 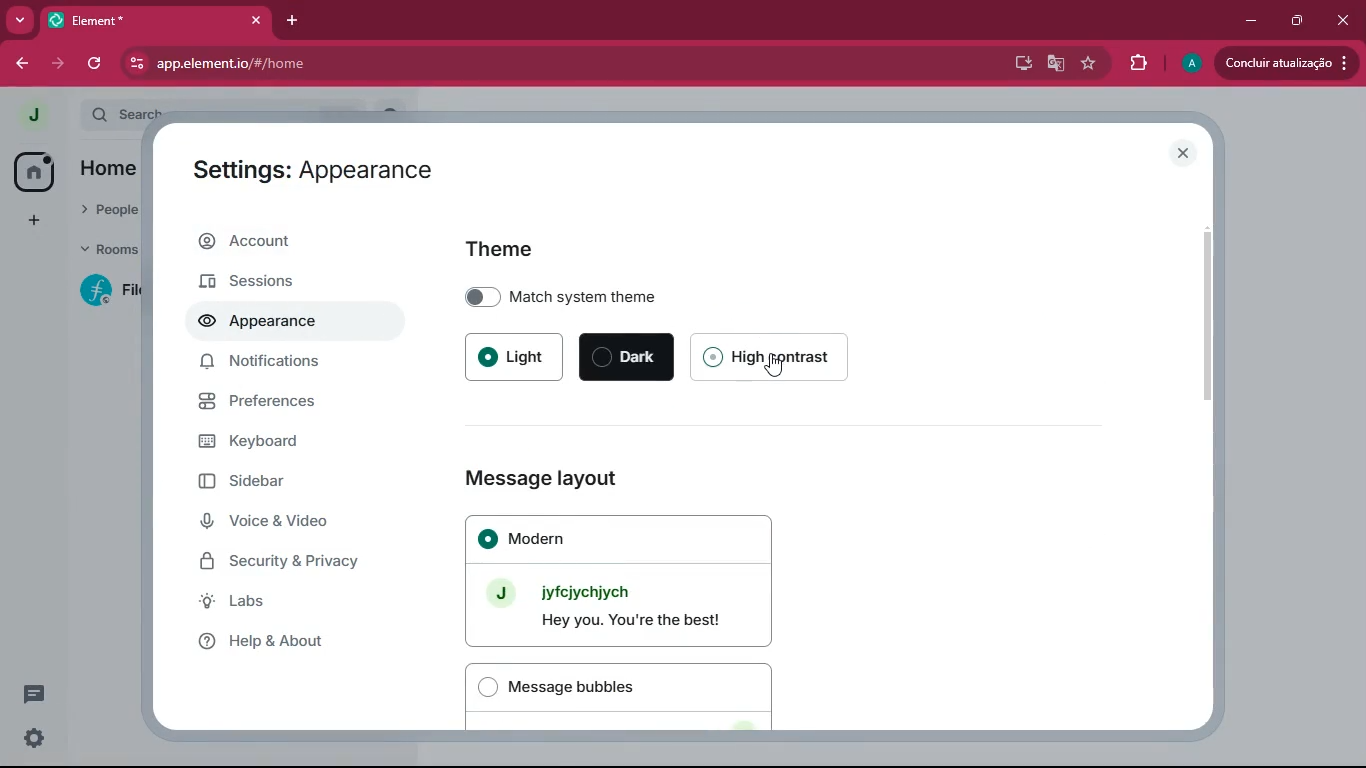 I want to click on favourite, so click(x=1091, y=61).